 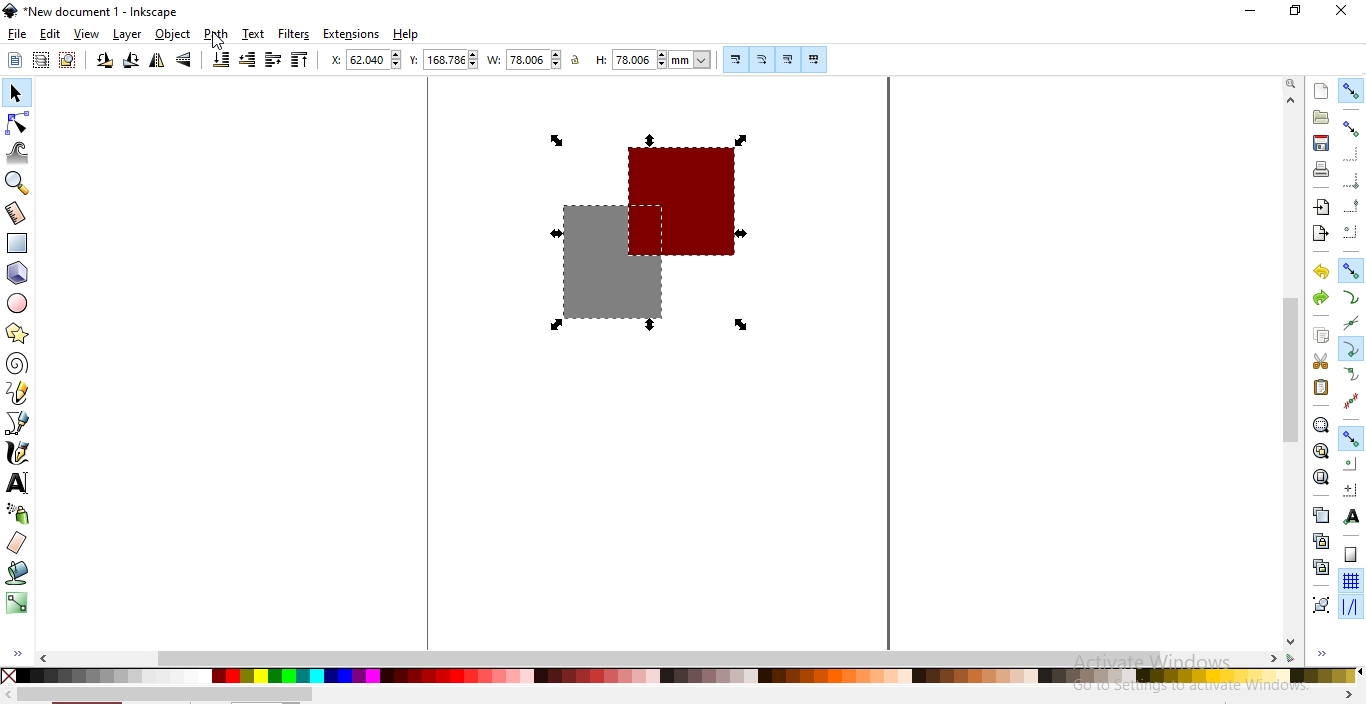 I want to click on rotate 90 counter clockwise, so click(x=105, y=62).